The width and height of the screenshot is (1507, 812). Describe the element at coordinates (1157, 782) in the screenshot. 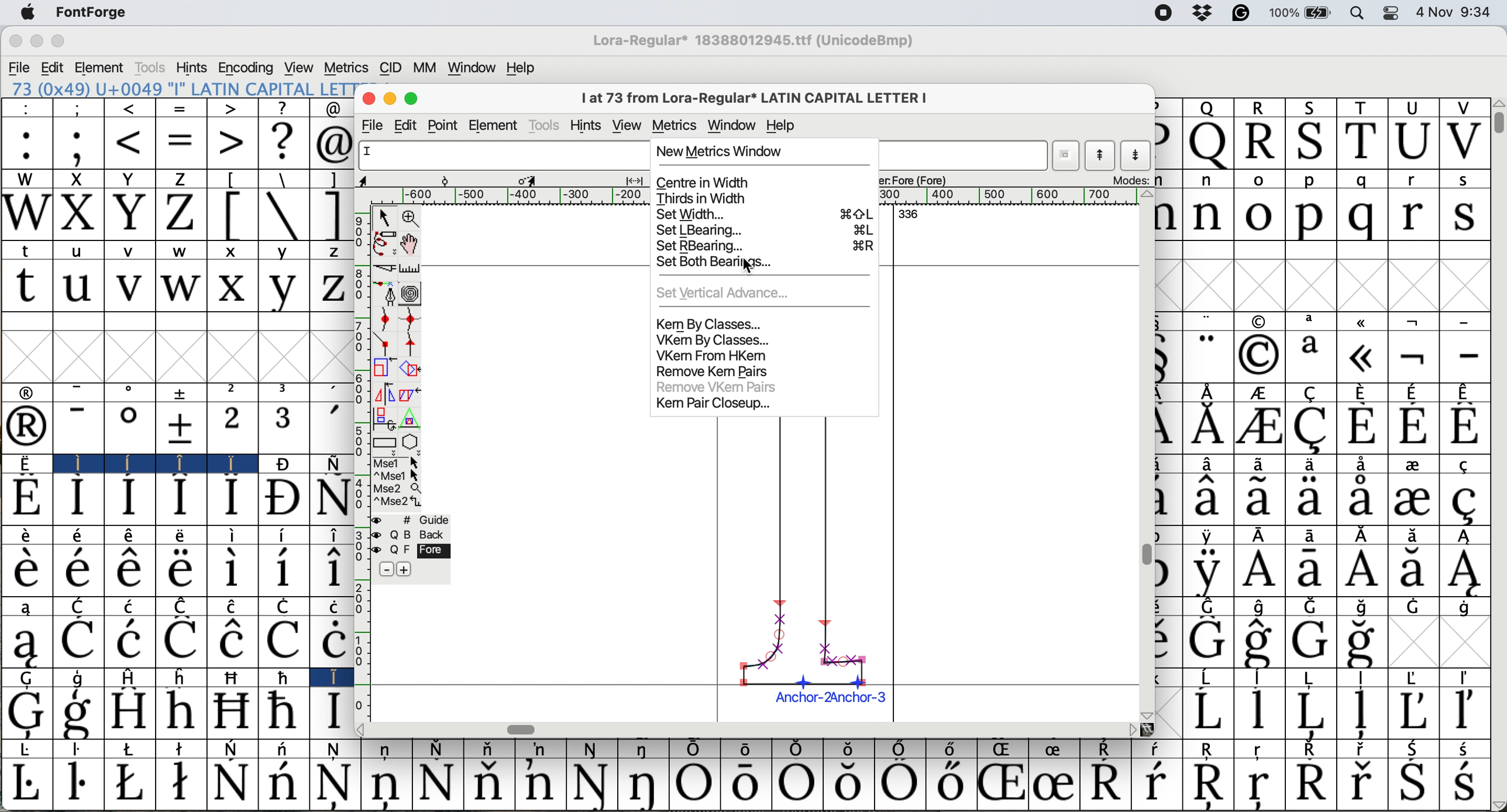

I see `Symbol` at that location.